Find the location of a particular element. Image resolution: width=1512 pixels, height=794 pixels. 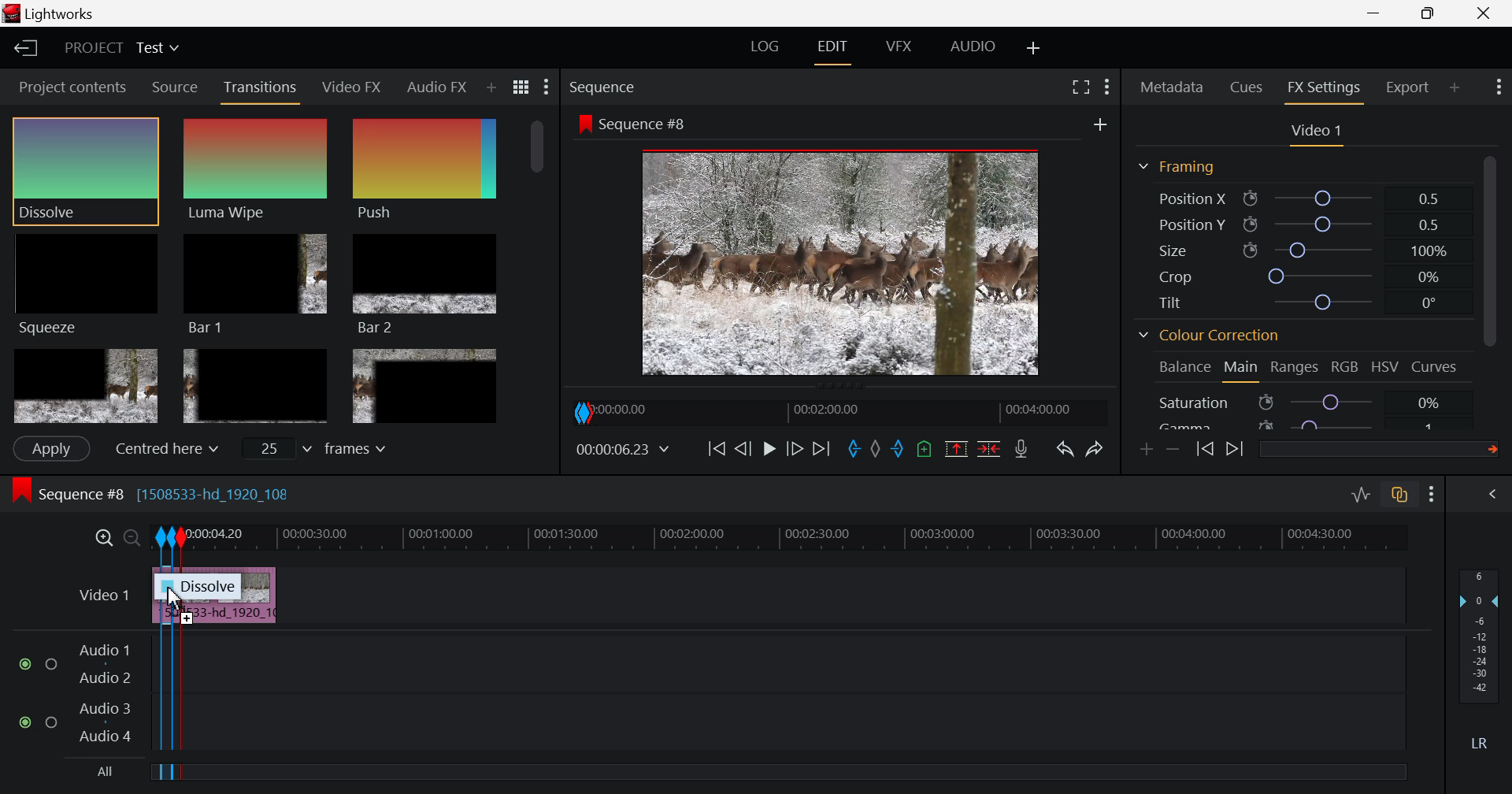

Add Layout is located at coordinates (1035, 47).